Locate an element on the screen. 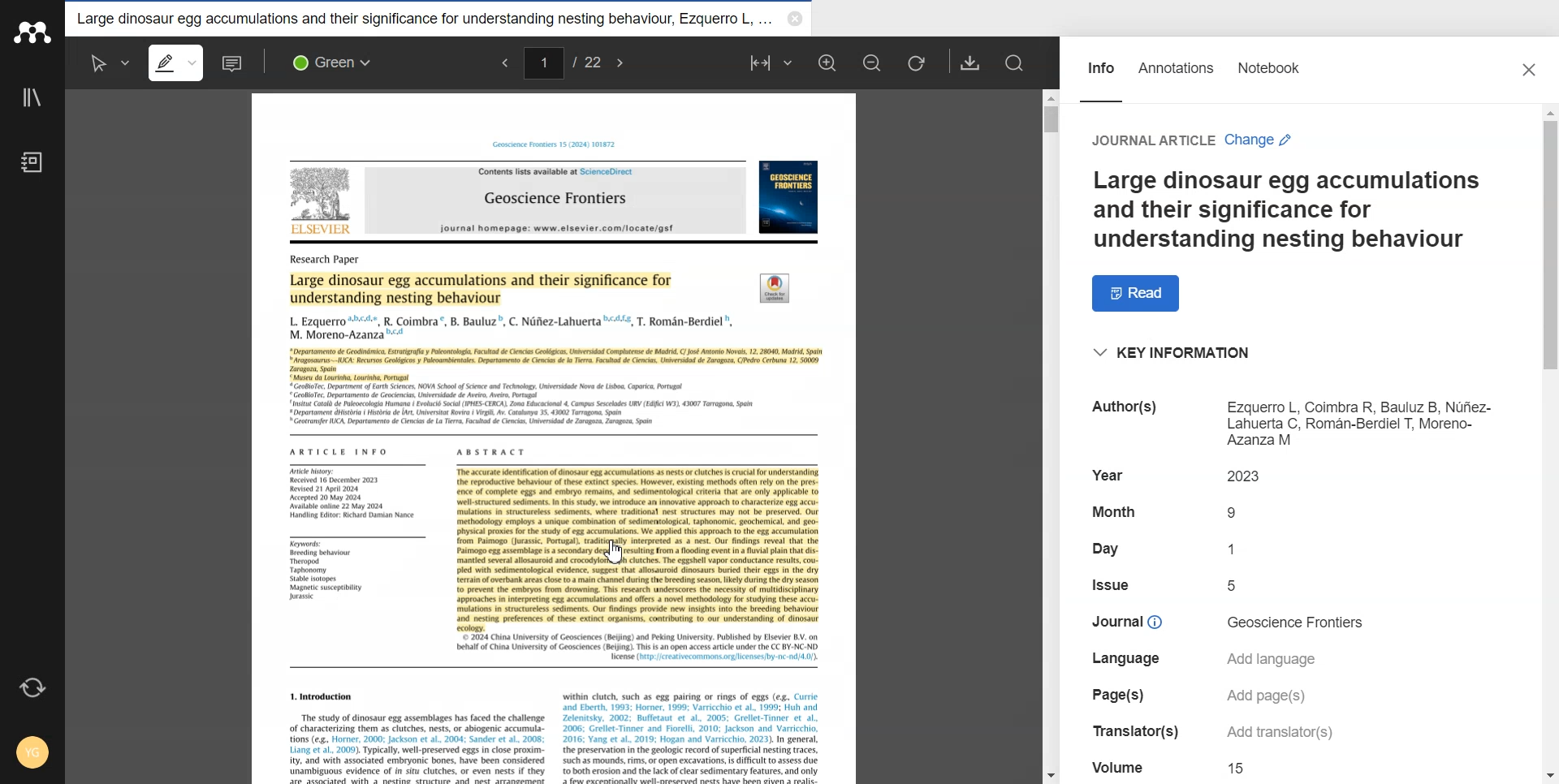  Zoom in is located at coordinates (829, 62).